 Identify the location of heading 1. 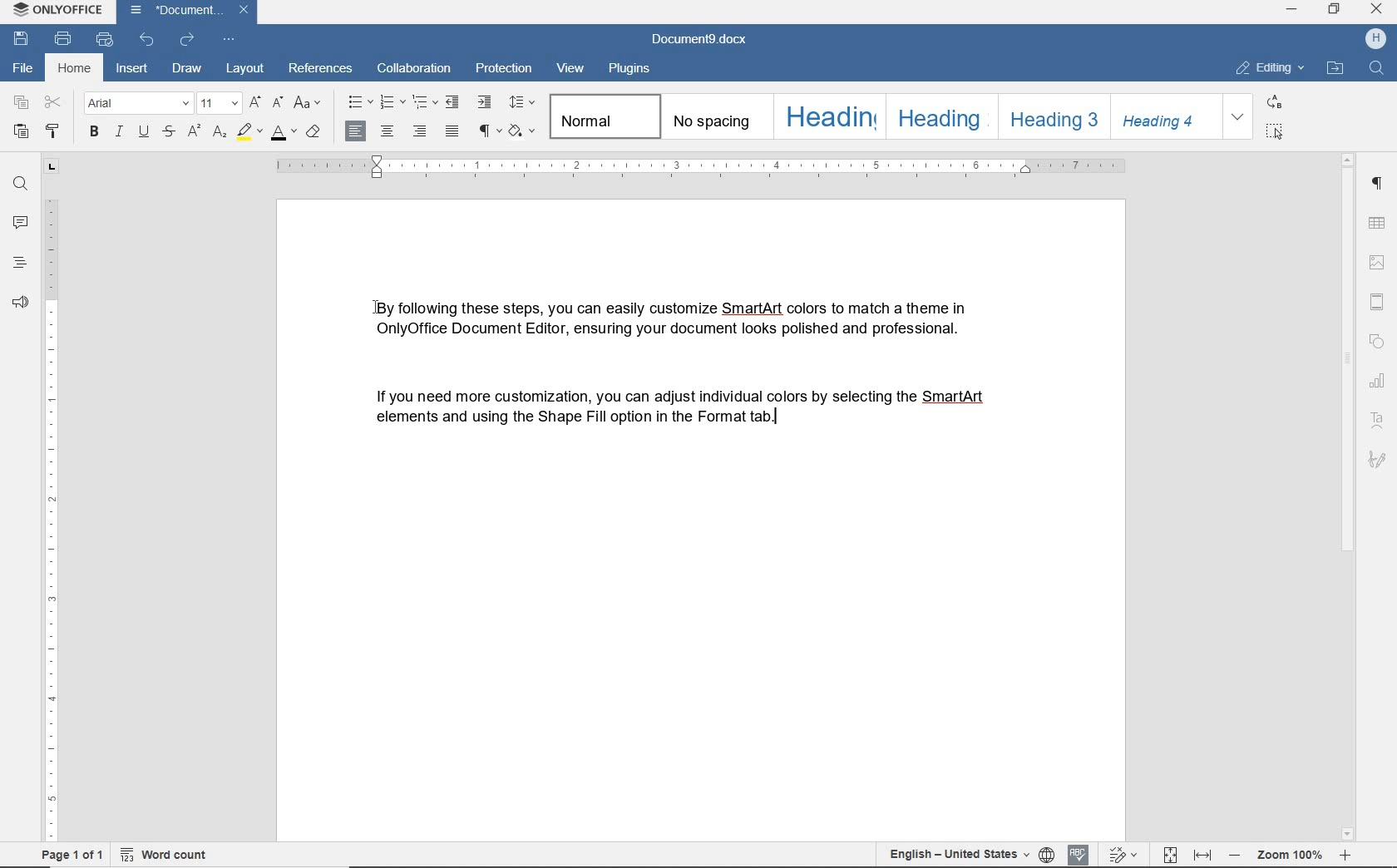
(828, 116).